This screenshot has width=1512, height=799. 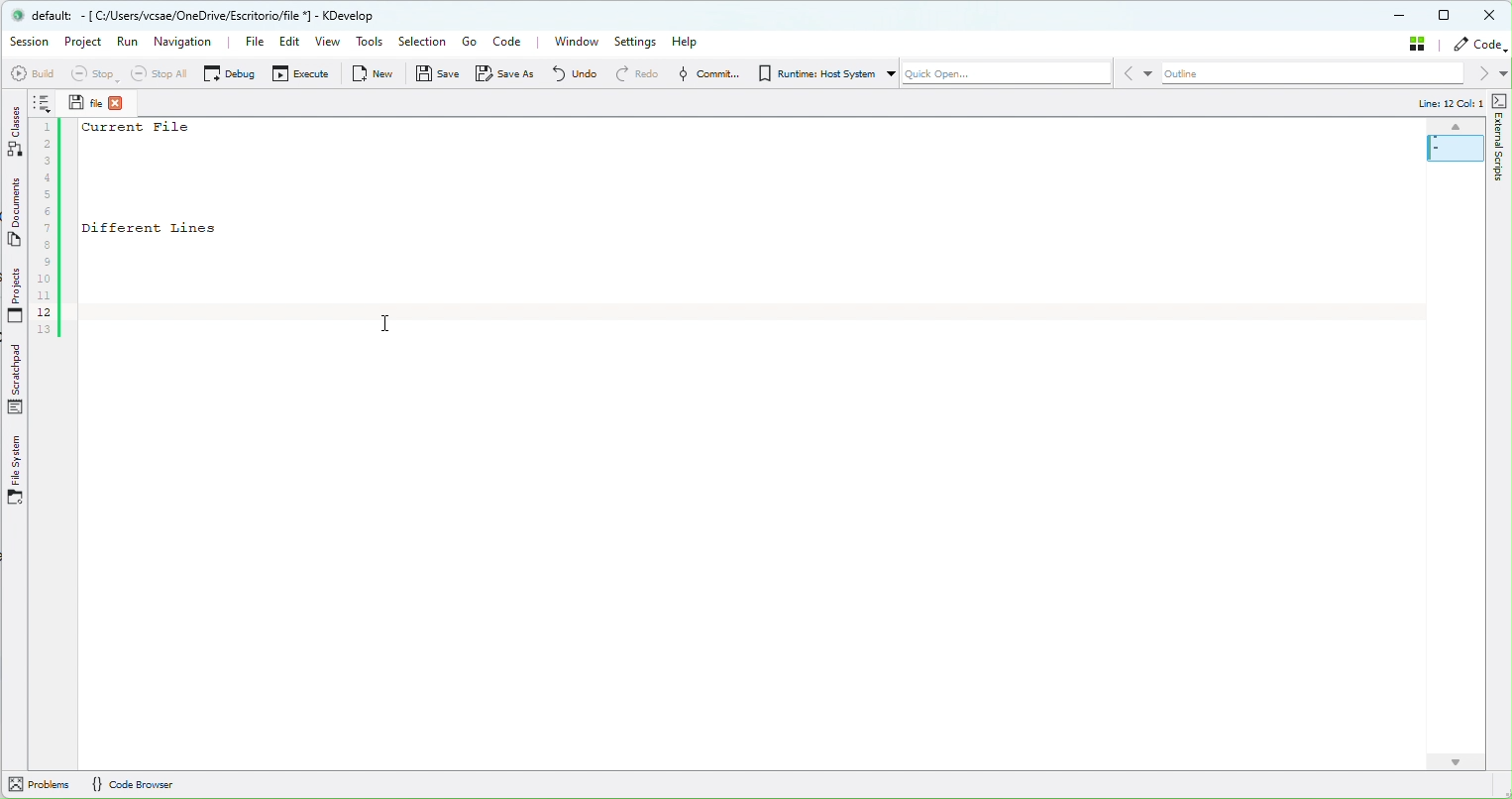 I want to click on Save, so click(x=437, y=73).